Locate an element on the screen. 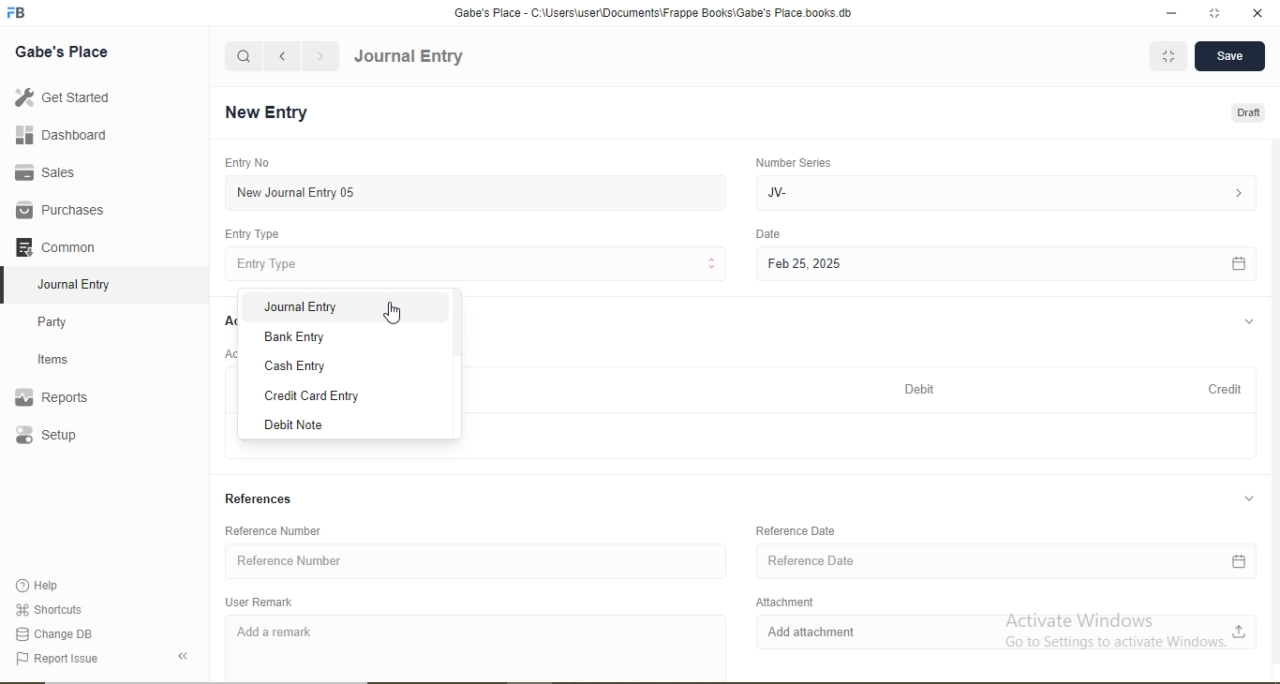  JV- is located at coordinates (1003, 191).